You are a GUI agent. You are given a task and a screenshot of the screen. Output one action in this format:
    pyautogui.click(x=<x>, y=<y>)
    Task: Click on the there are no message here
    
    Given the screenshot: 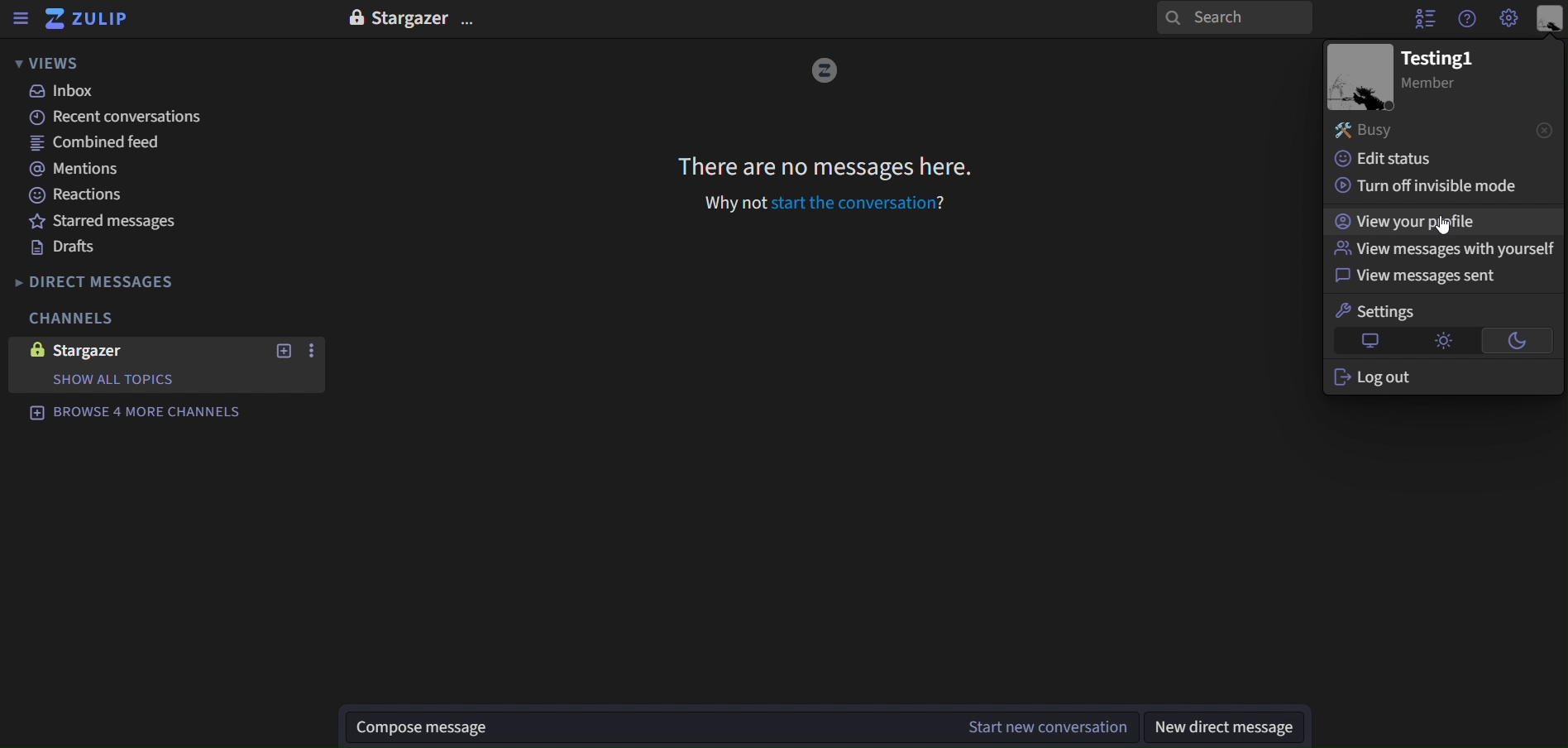 What is the action you would take?
    pyautogui.click(x=820, y=166)
    